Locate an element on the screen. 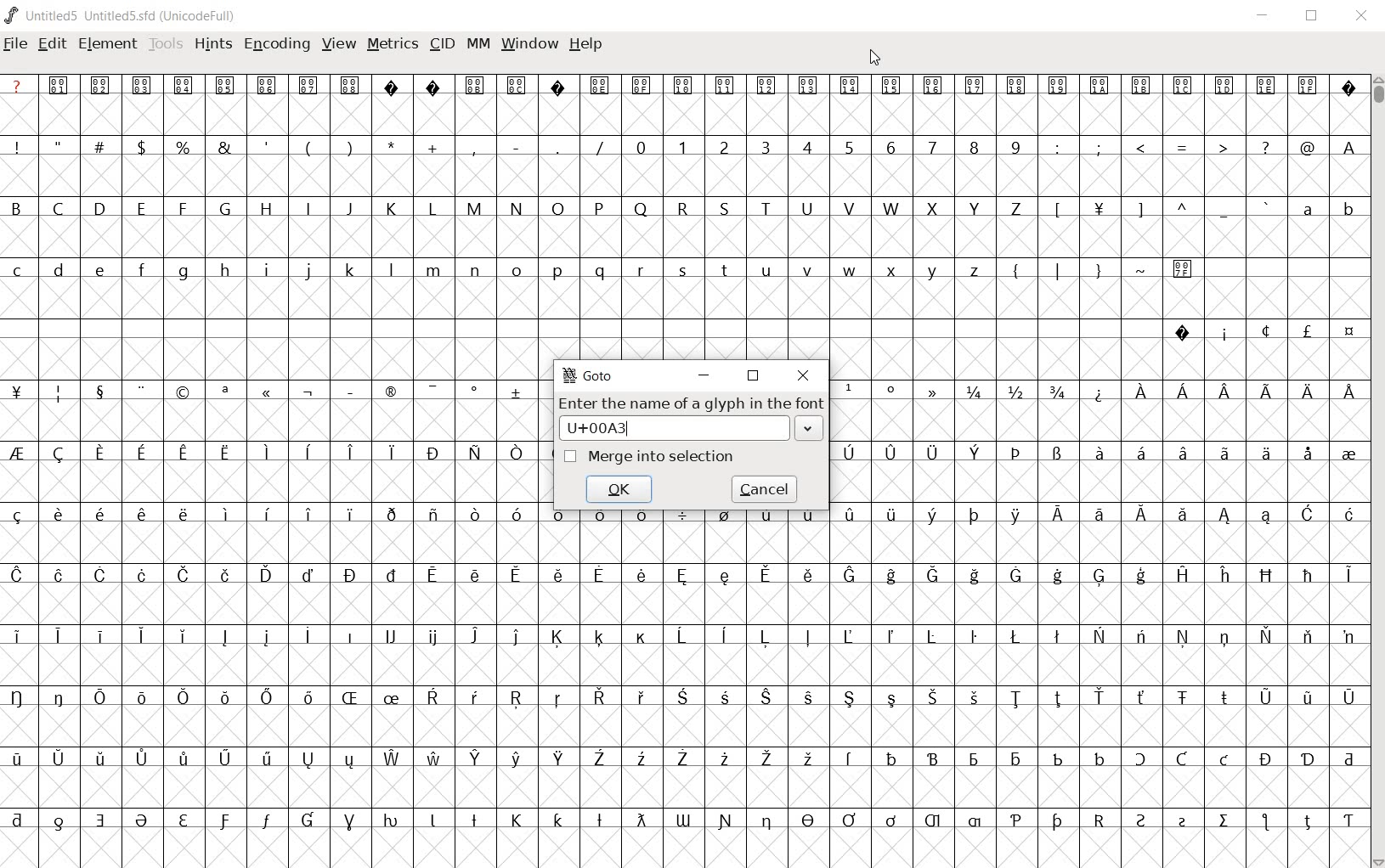 The image size is (1385, 868). Symbol is located at coordinates (268, 85).